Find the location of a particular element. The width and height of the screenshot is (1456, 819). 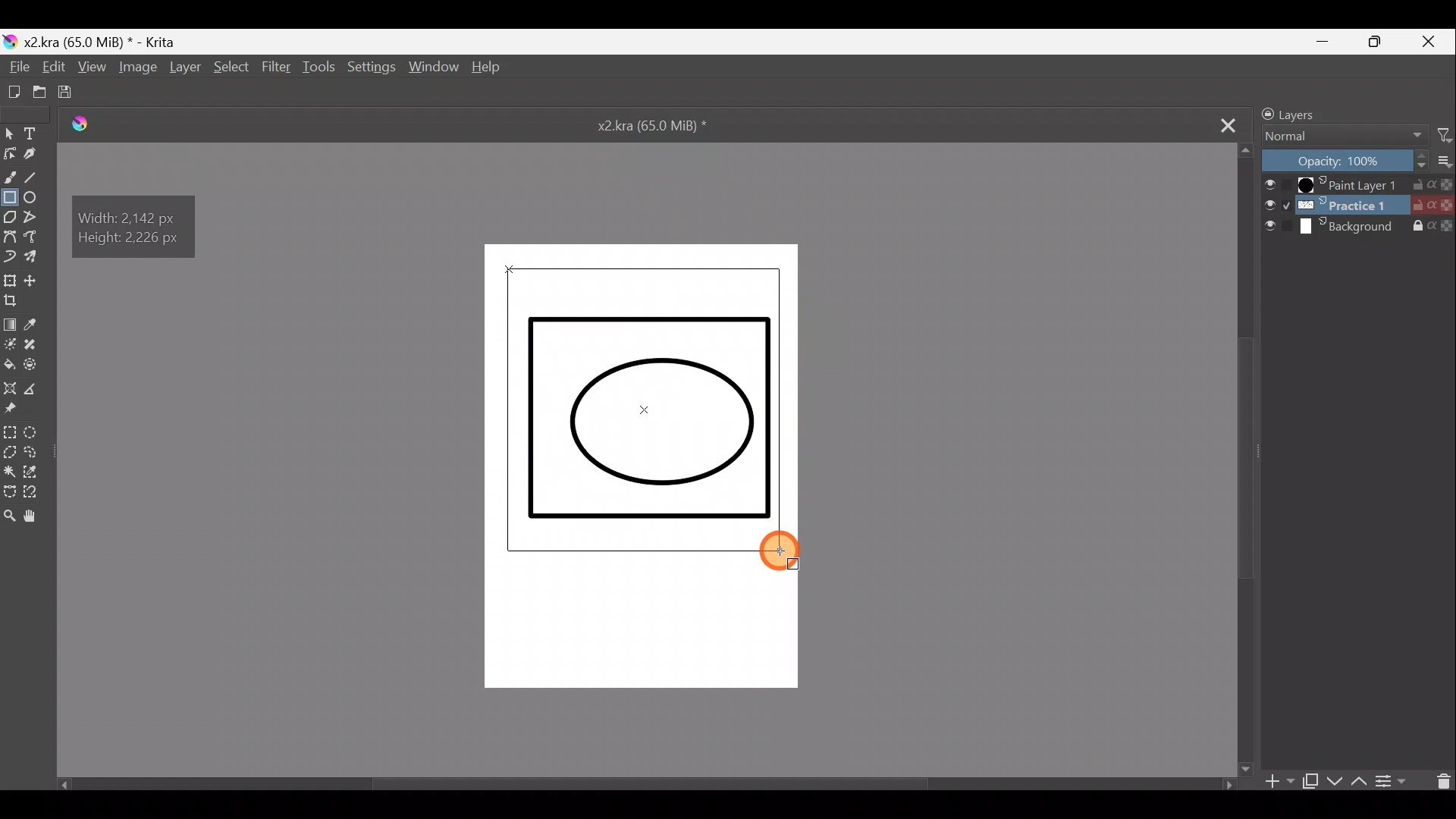

Cursor is located at coordinates (785, 554).